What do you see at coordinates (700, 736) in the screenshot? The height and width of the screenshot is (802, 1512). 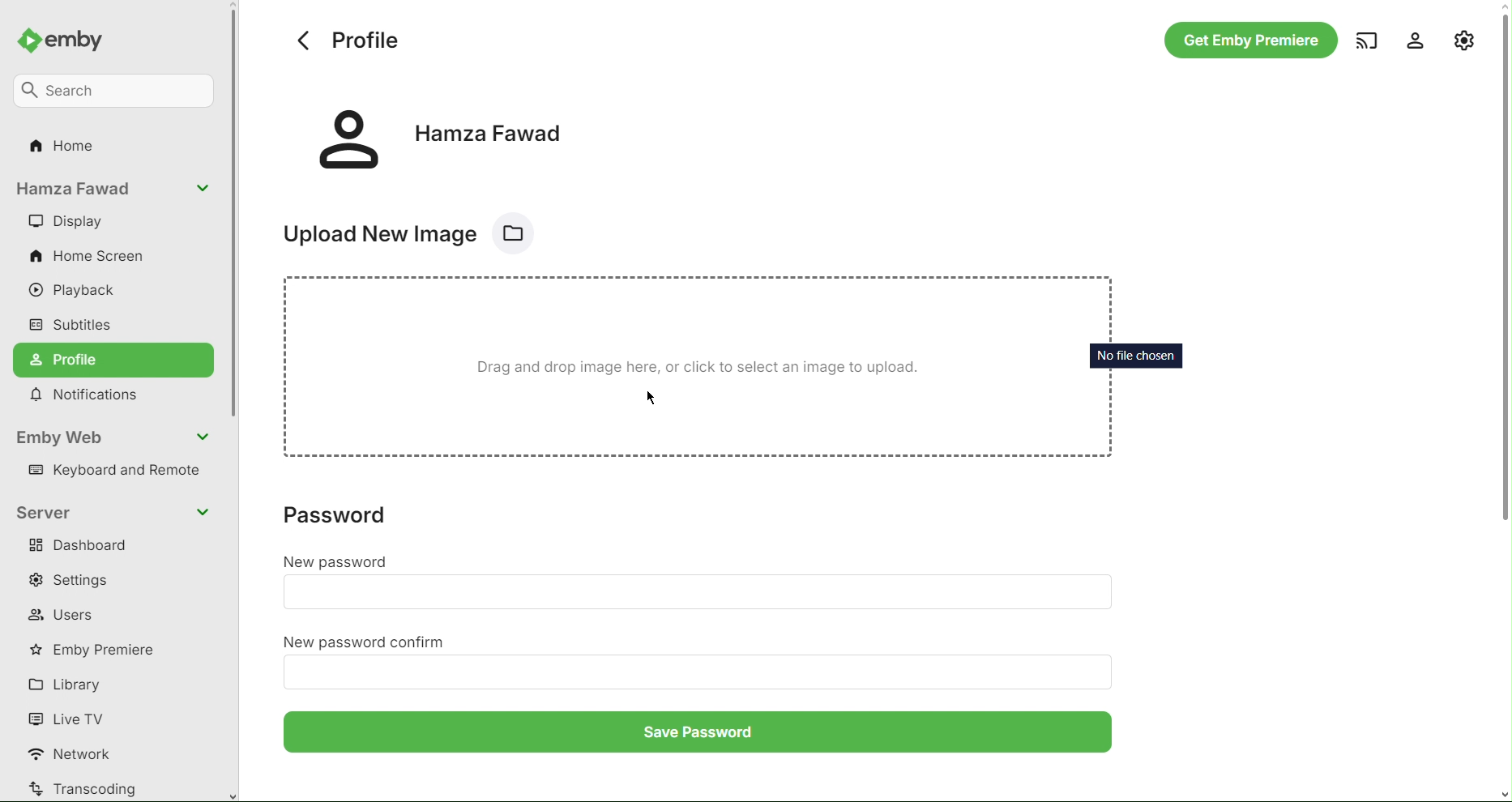 I see `Save Password` at bounding box center [700, 736].